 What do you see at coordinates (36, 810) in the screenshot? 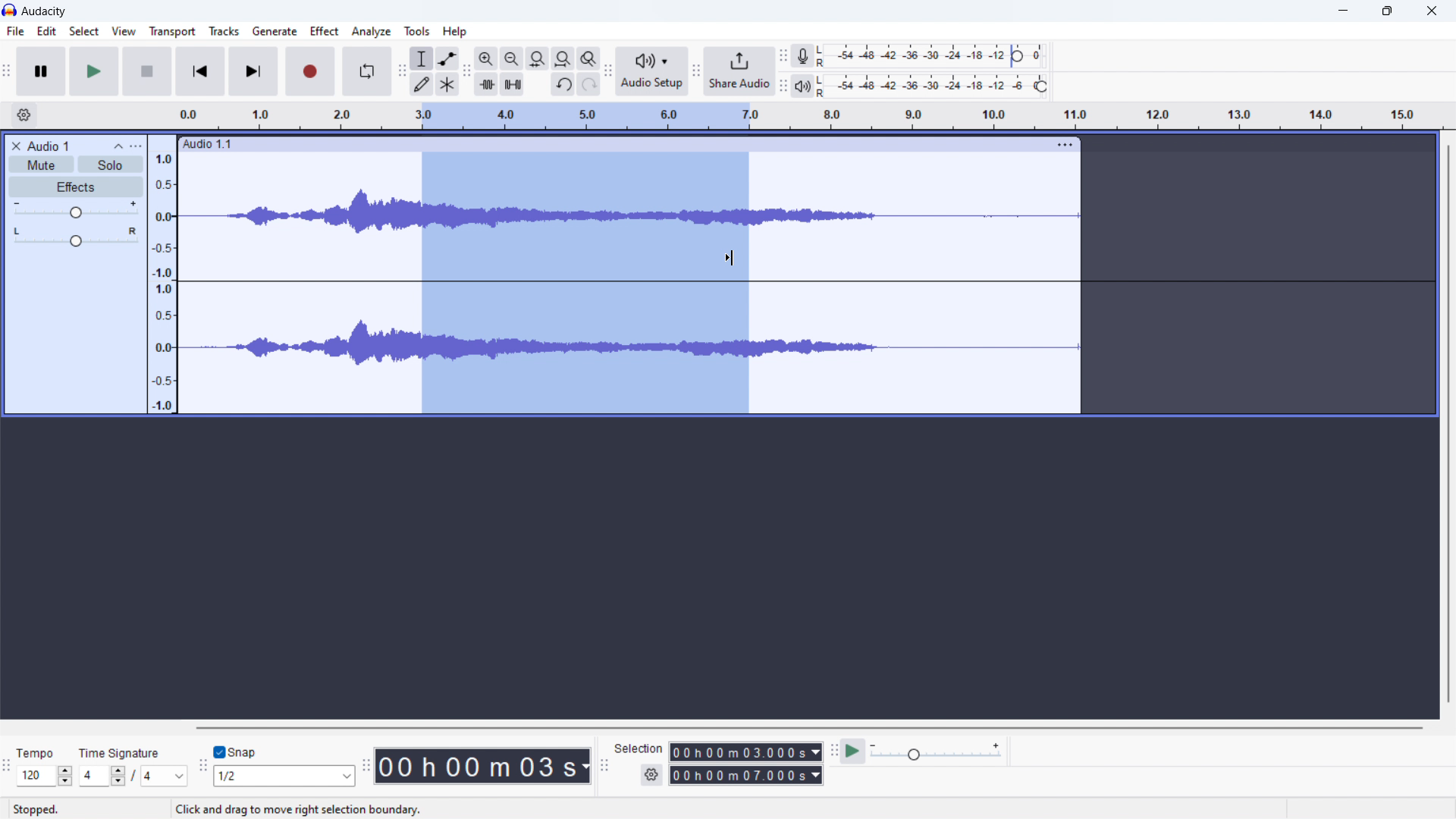
I see `stopped.` at bounding box center [36, 810].